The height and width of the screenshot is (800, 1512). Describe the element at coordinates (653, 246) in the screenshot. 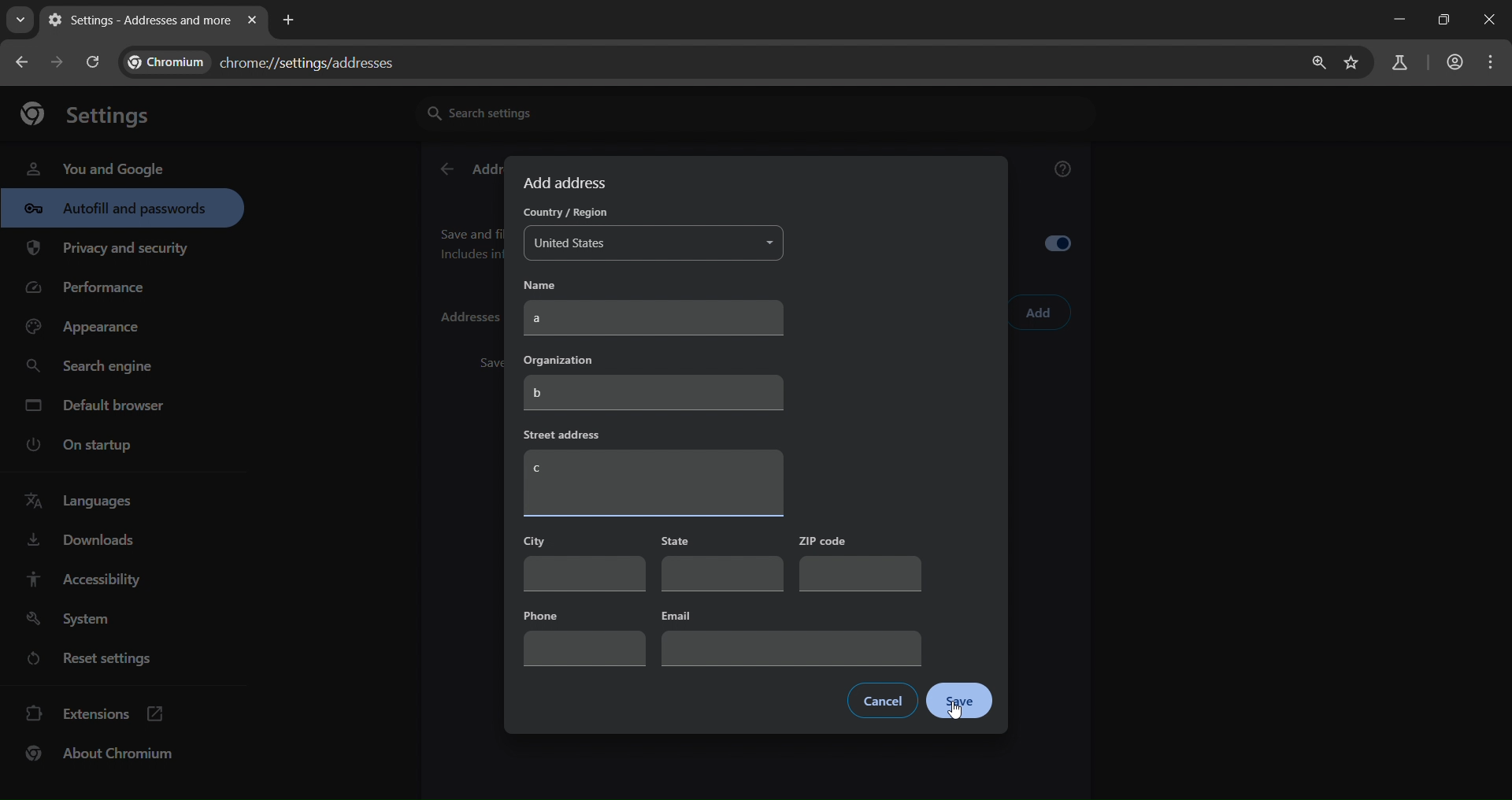

I see `united states` at that location.